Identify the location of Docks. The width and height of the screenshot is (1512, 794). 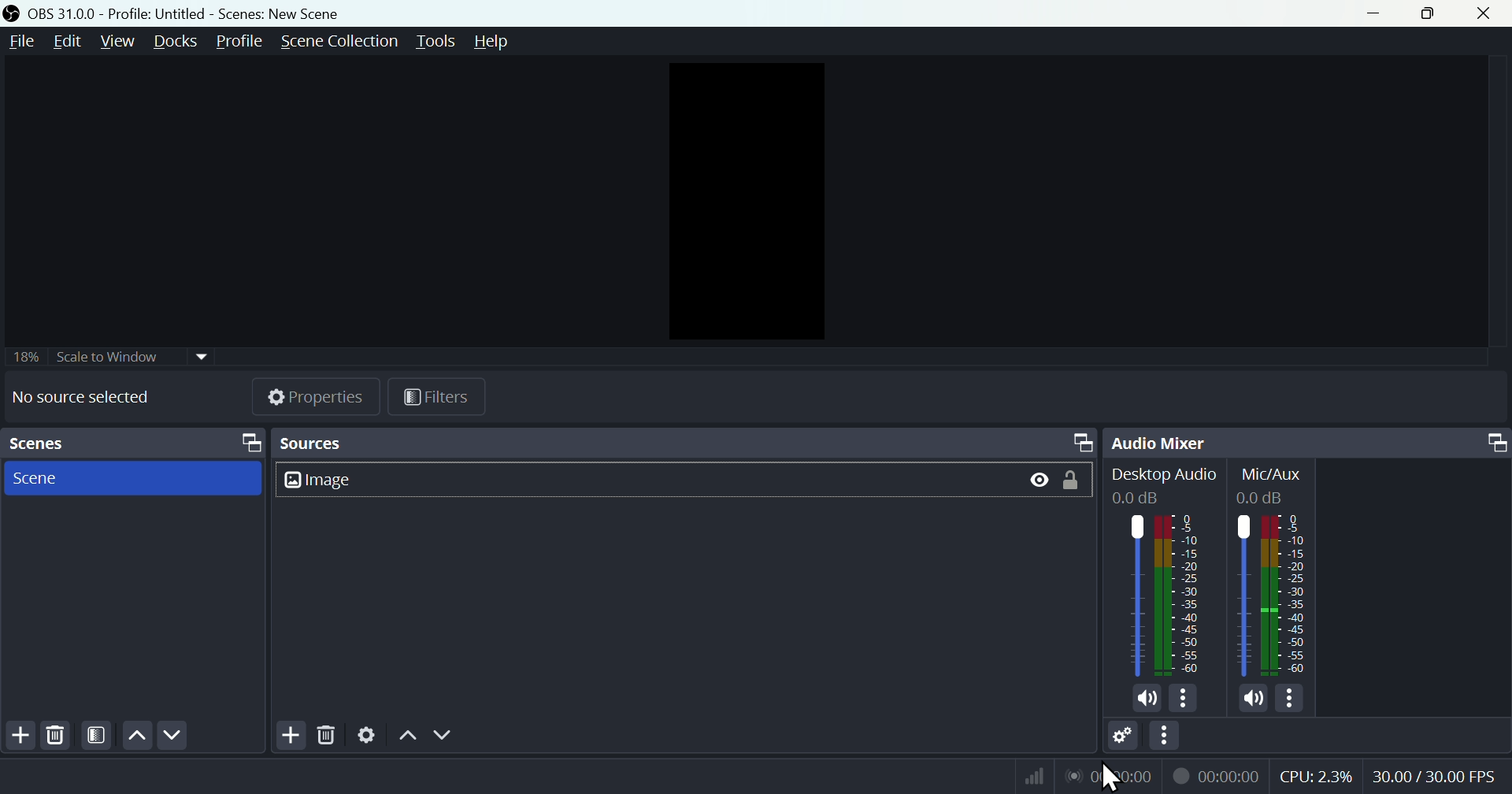
(172, 43).